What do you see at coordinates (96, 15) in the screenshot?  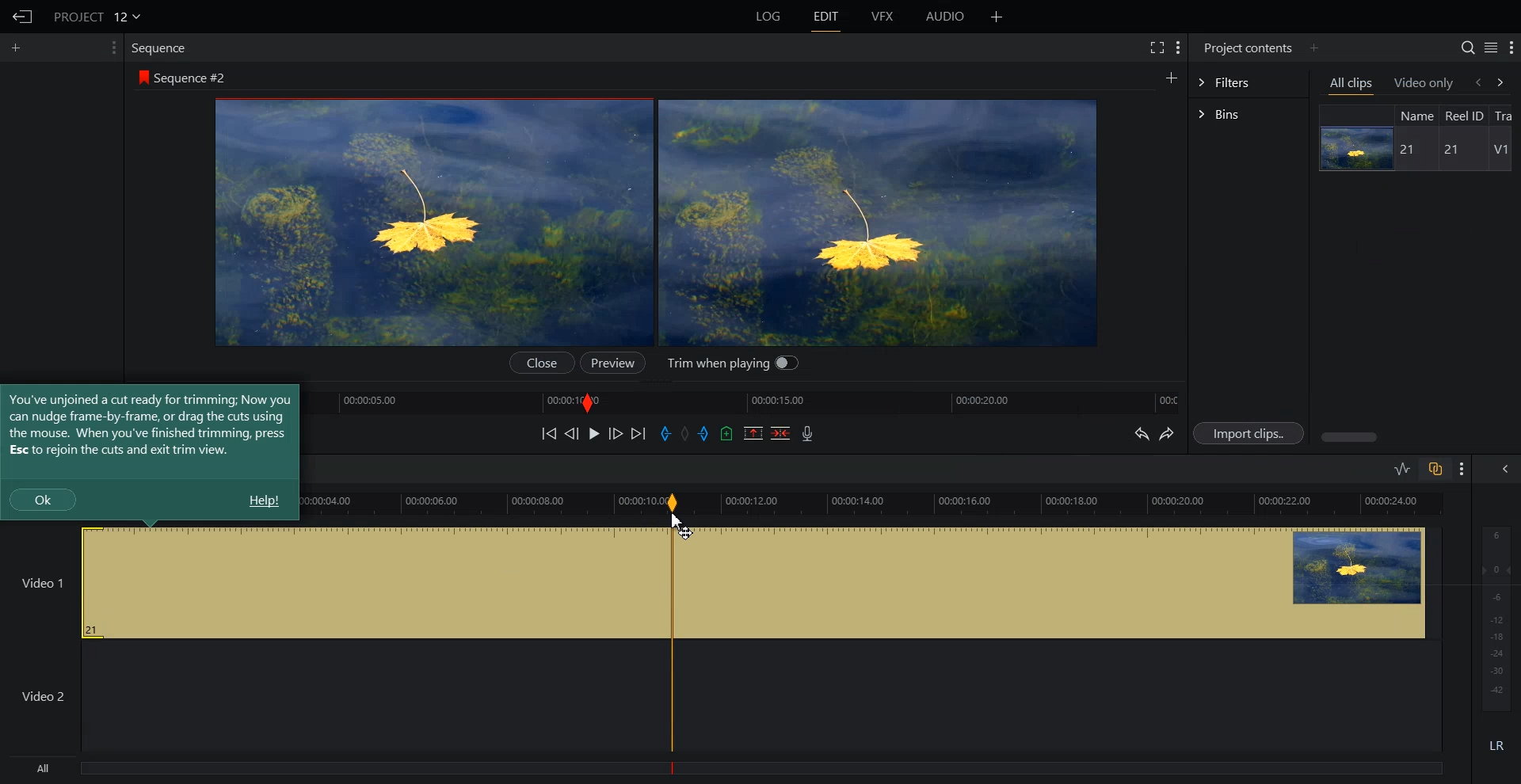 I see `Project 12` at bounding box center [96, 15].